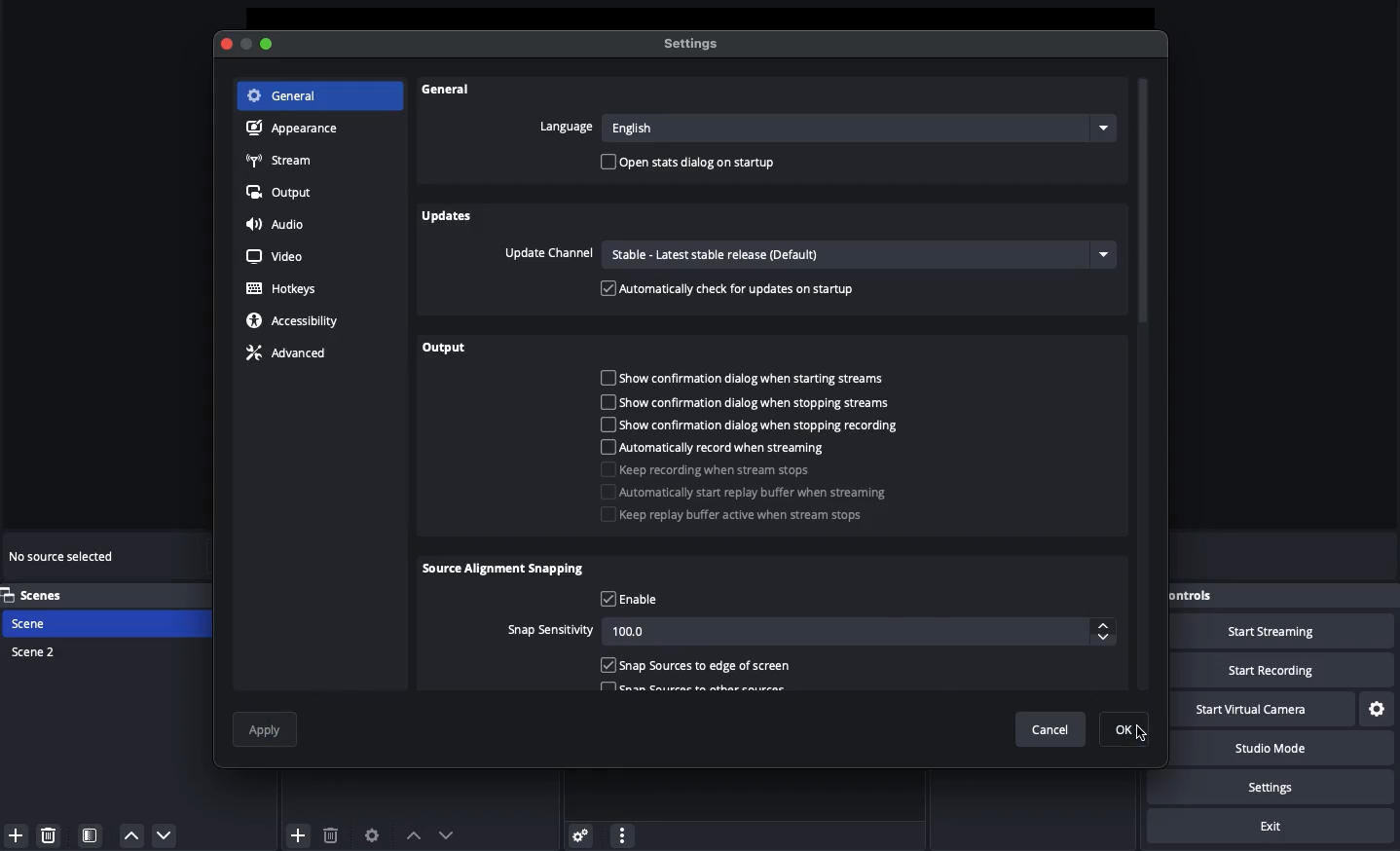 The width and height of the screenshot is (1400, 851). I want to click on Snap sensitivity, so click(809, 632).